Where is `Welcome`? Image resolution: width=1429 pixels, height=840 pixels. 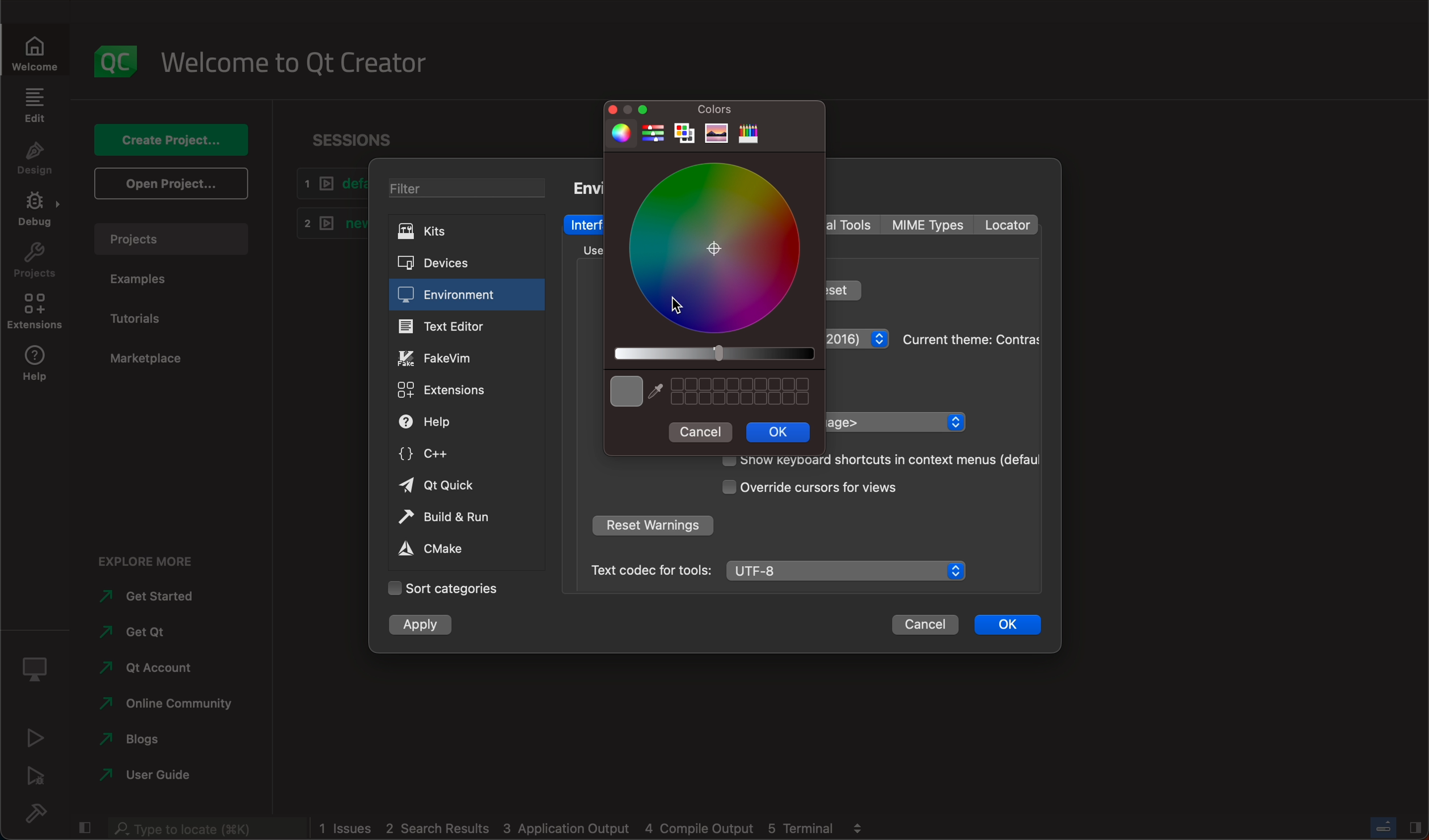 Welcome is located at coordinates (37, 50).